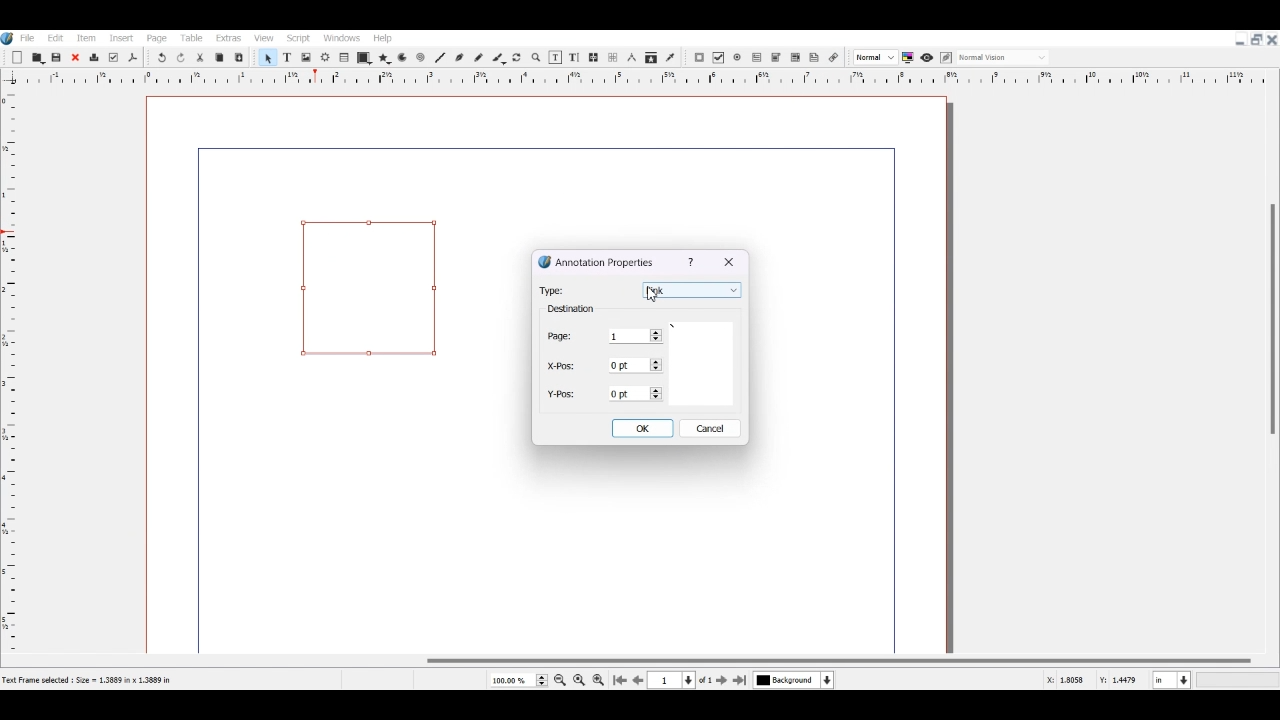  What do you see at coordinates (306, 57) in the screenshot?
I see `Image Frame` at bounding box center [306, 57].